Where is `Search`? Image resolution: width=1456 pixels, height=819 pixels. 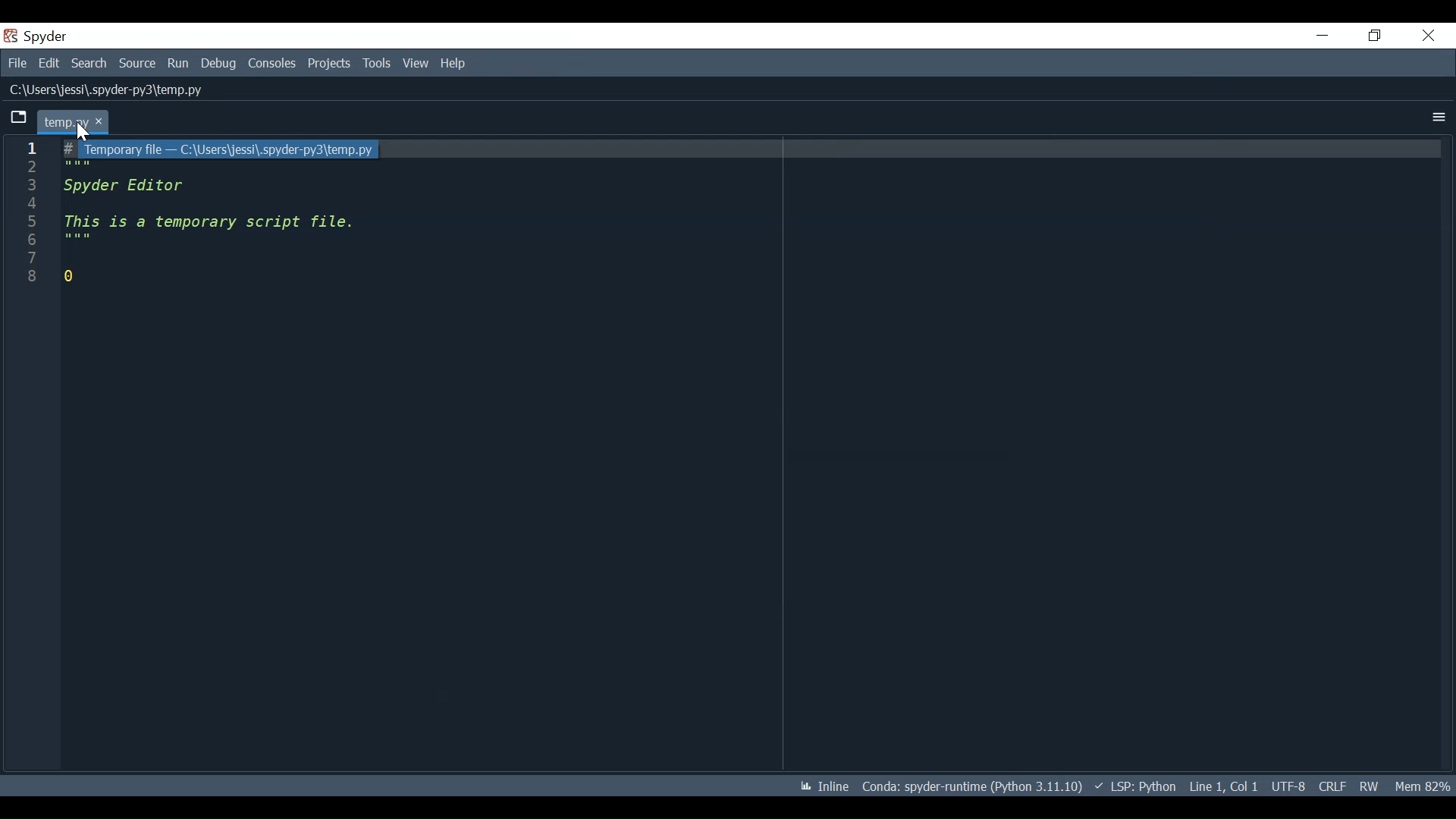
Search is located at coordinates (89, 64).